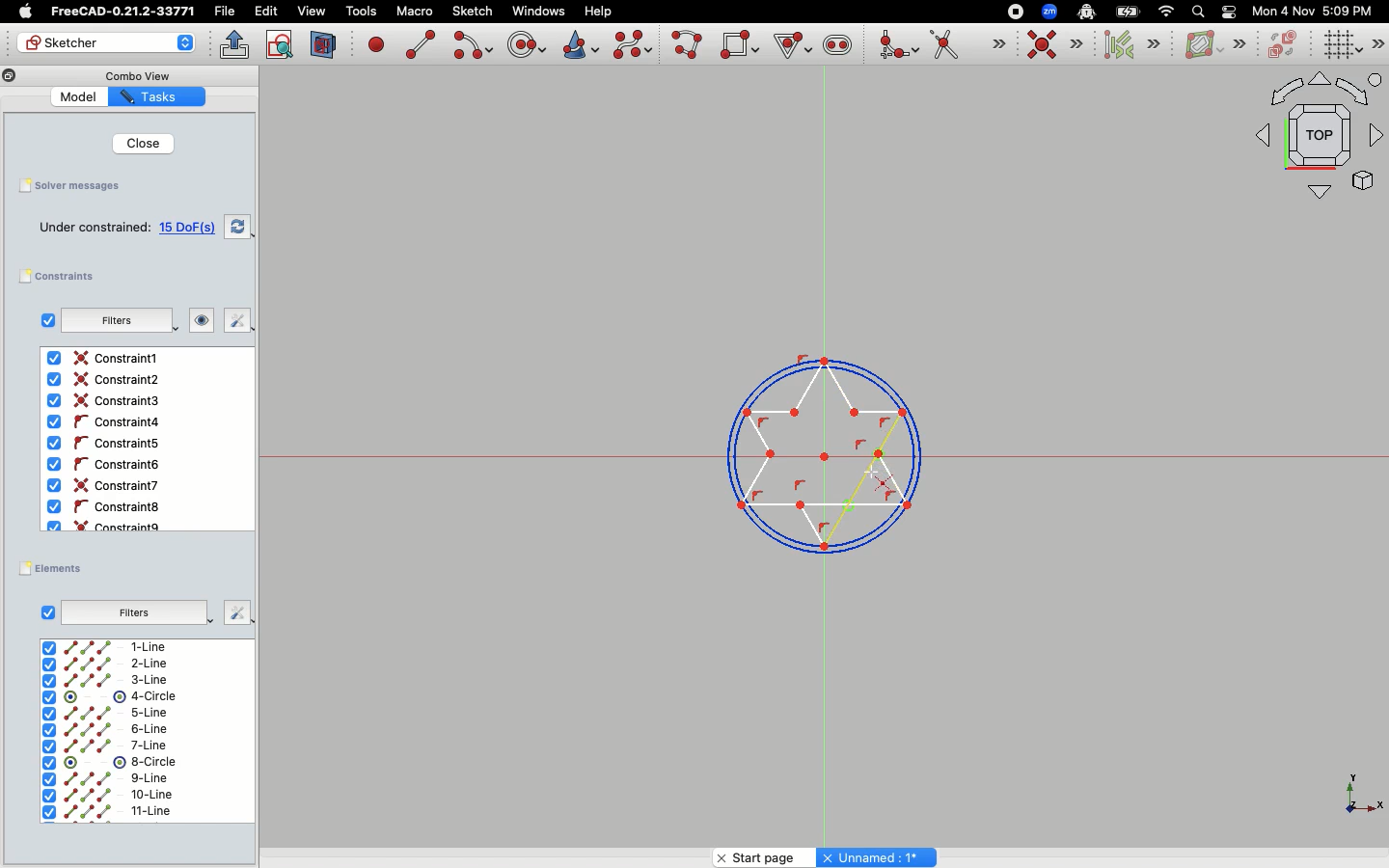 Image resolution: width=1389 pixels, height=868 pixels. Describe the element at coordinates (103, 444) in the screenshot. I see `Constraint5` at that location.